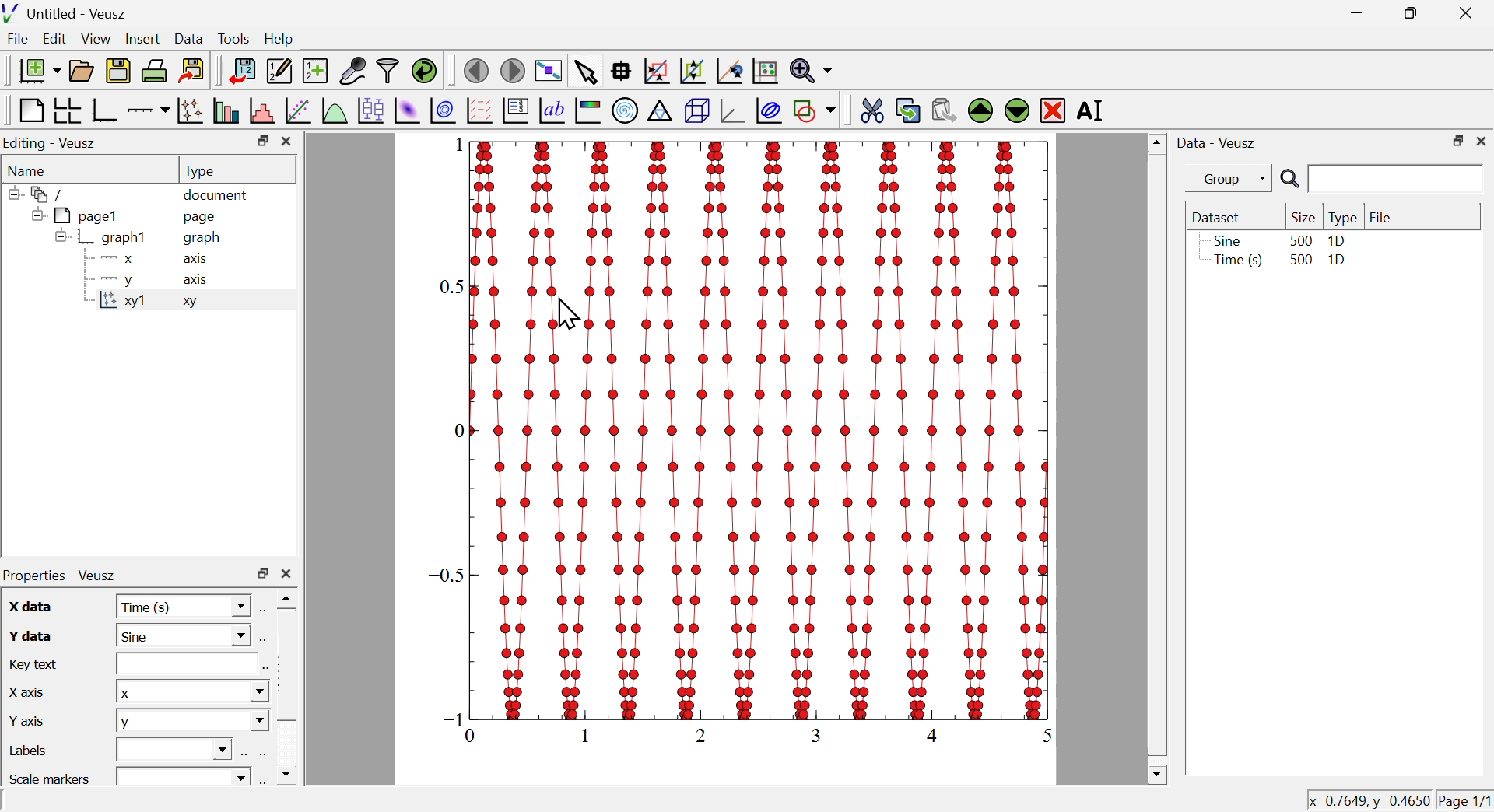  Describe the element at coordinates (202, 238) in the screenshot. I see `graph` at that location.